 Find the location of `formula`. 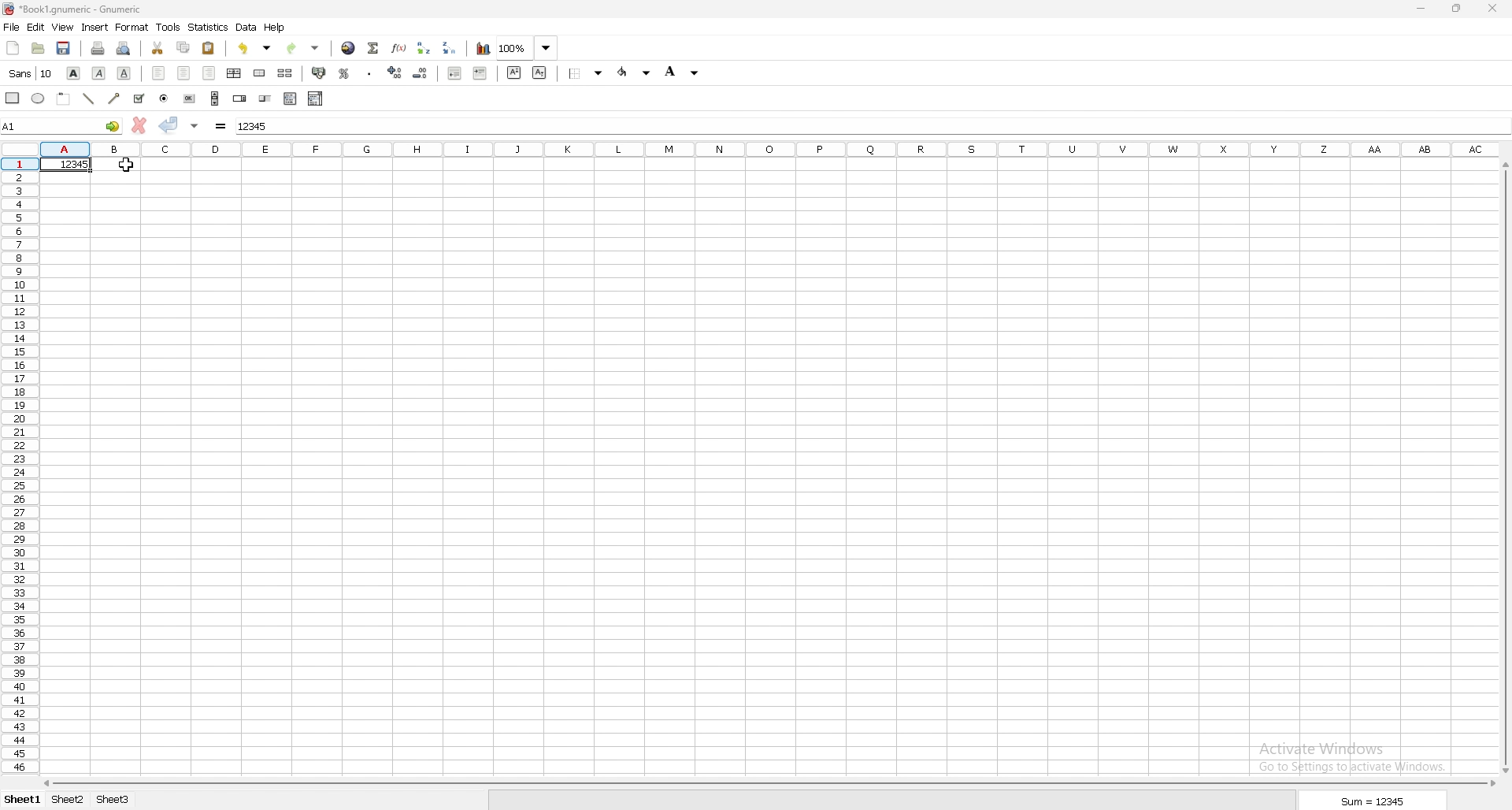

formula is located at coordinates (221, 125).